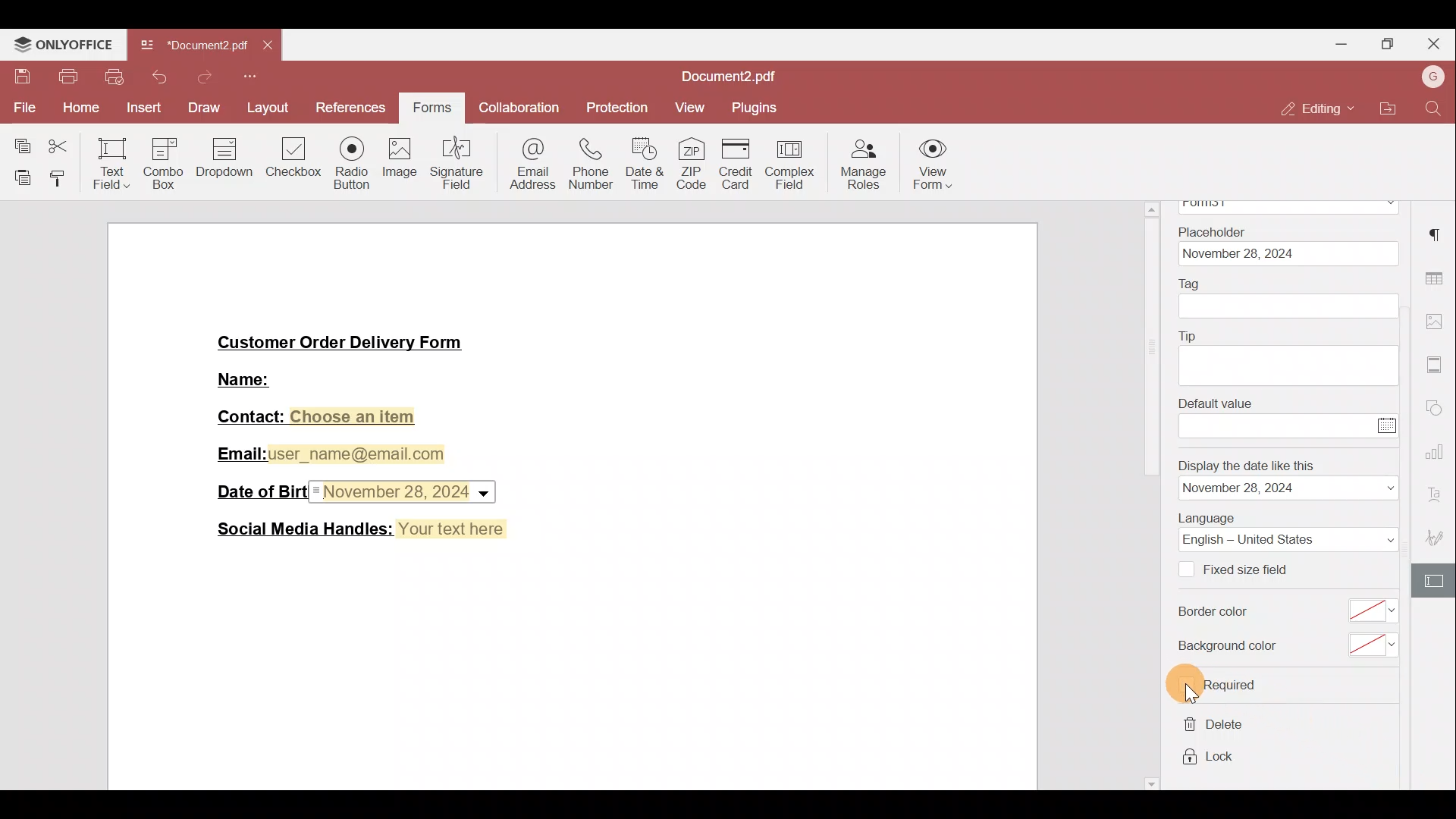 The image size is (1456, 819). What do you see at coordinates (1187, 685) in the screenshot?
I see `Checkbox ` at bounding box center [1187, 685].